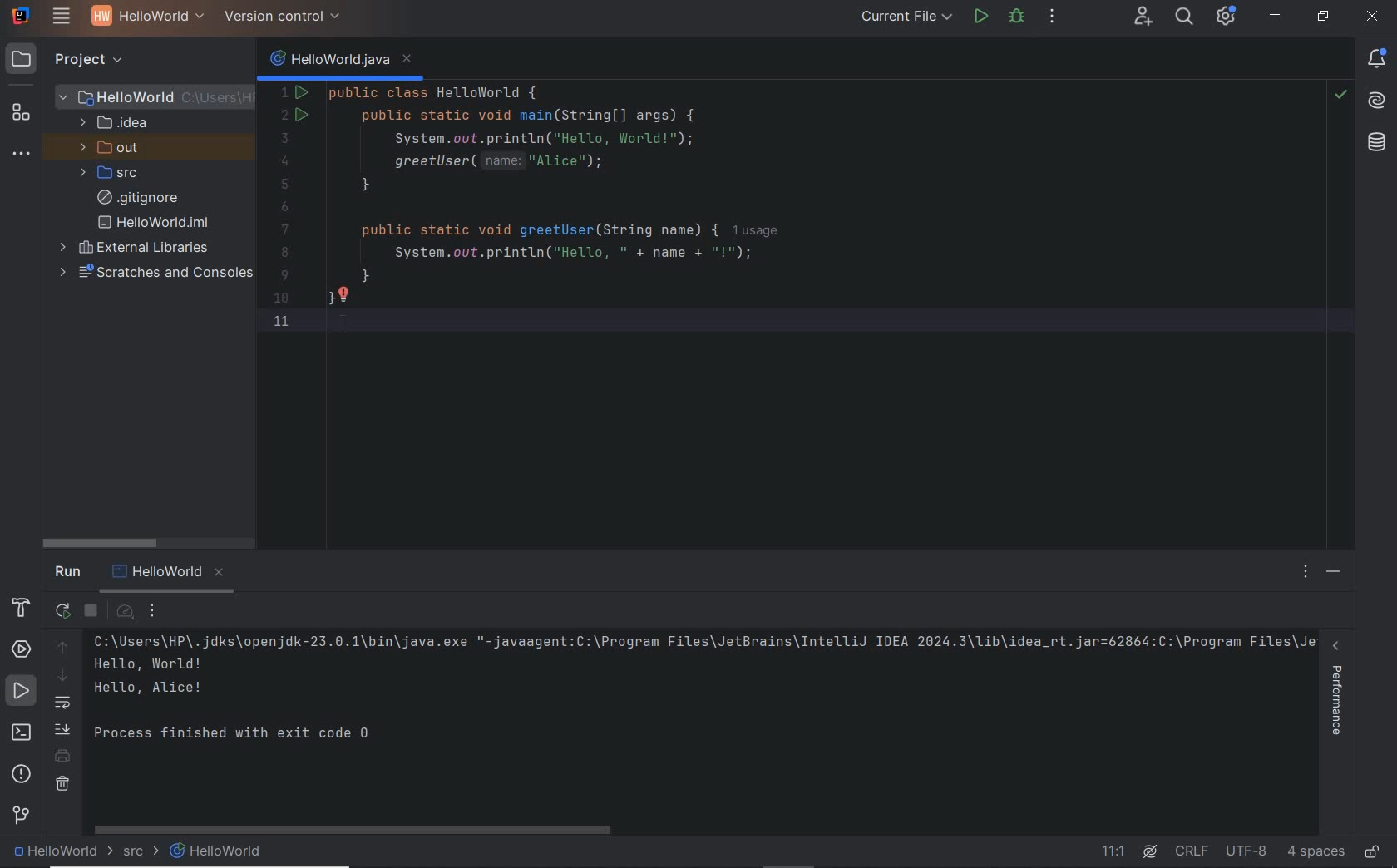 The image size is (1397, 868). What do you see at coordinates (1018, 18) in the screenshot?
I see `debug` at bounding box center [1018, 18].